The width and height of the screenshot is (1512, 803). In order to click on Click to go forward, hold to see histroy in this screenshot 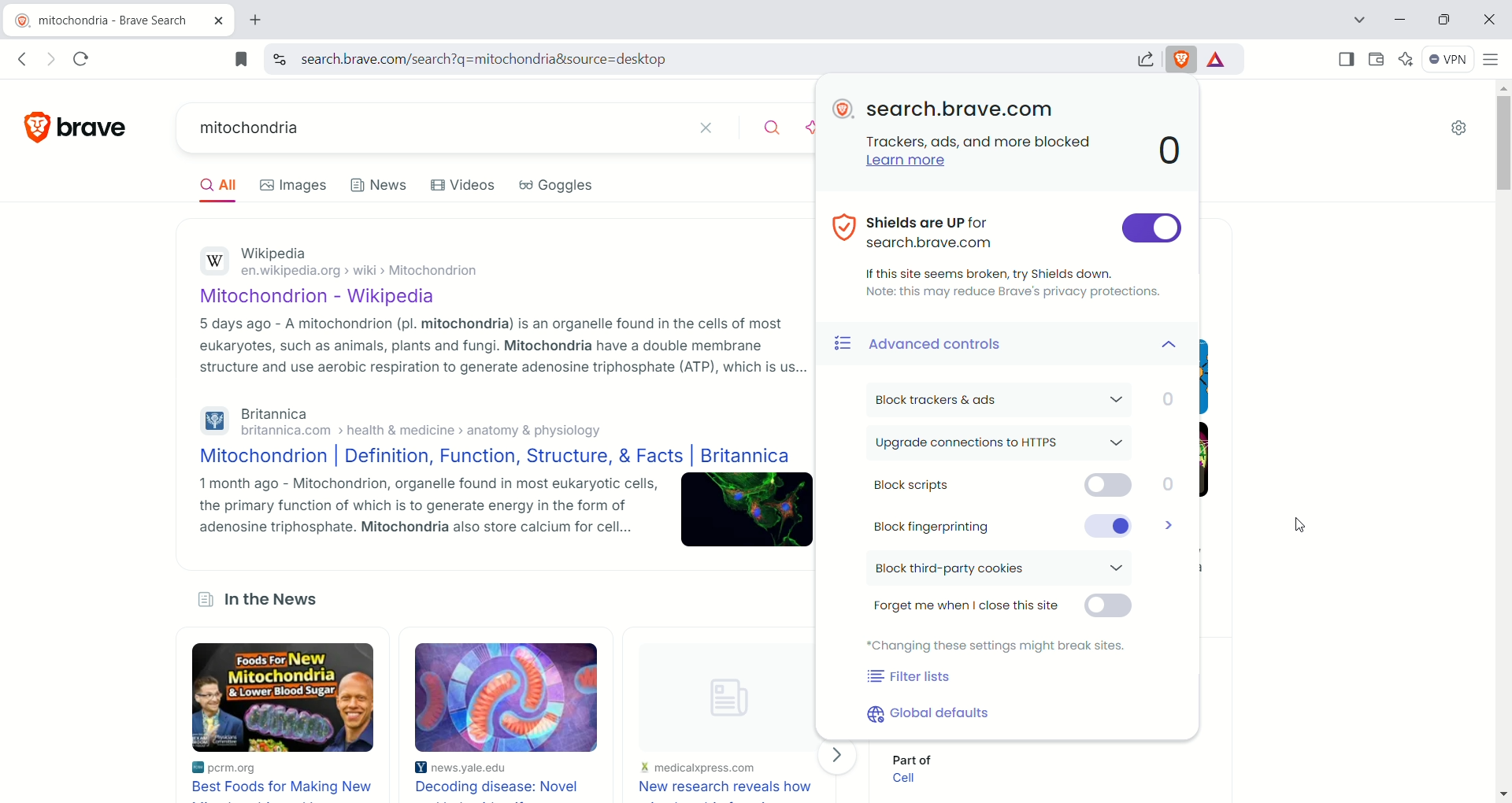, I will do `click(53, 58)`.